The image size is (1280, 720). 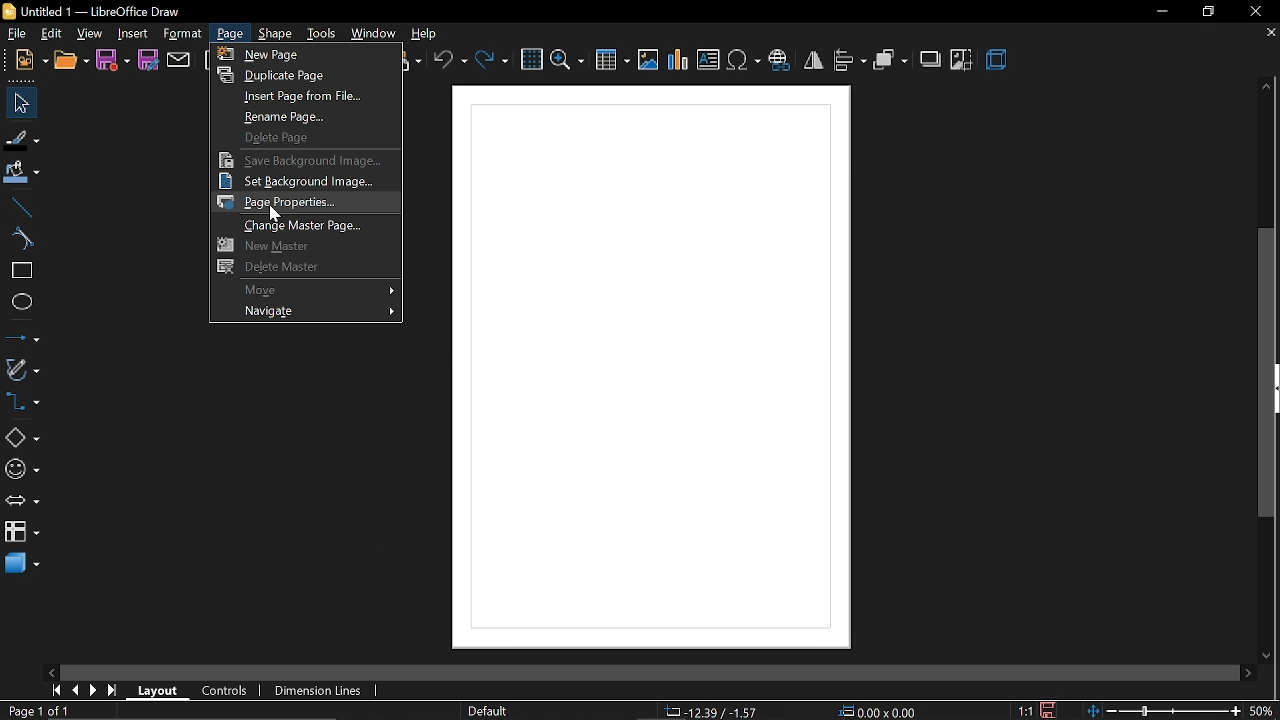 What do you see at coordinates (113, 63) in the screenshot?
I see `save` at bounding box center [113, 63].